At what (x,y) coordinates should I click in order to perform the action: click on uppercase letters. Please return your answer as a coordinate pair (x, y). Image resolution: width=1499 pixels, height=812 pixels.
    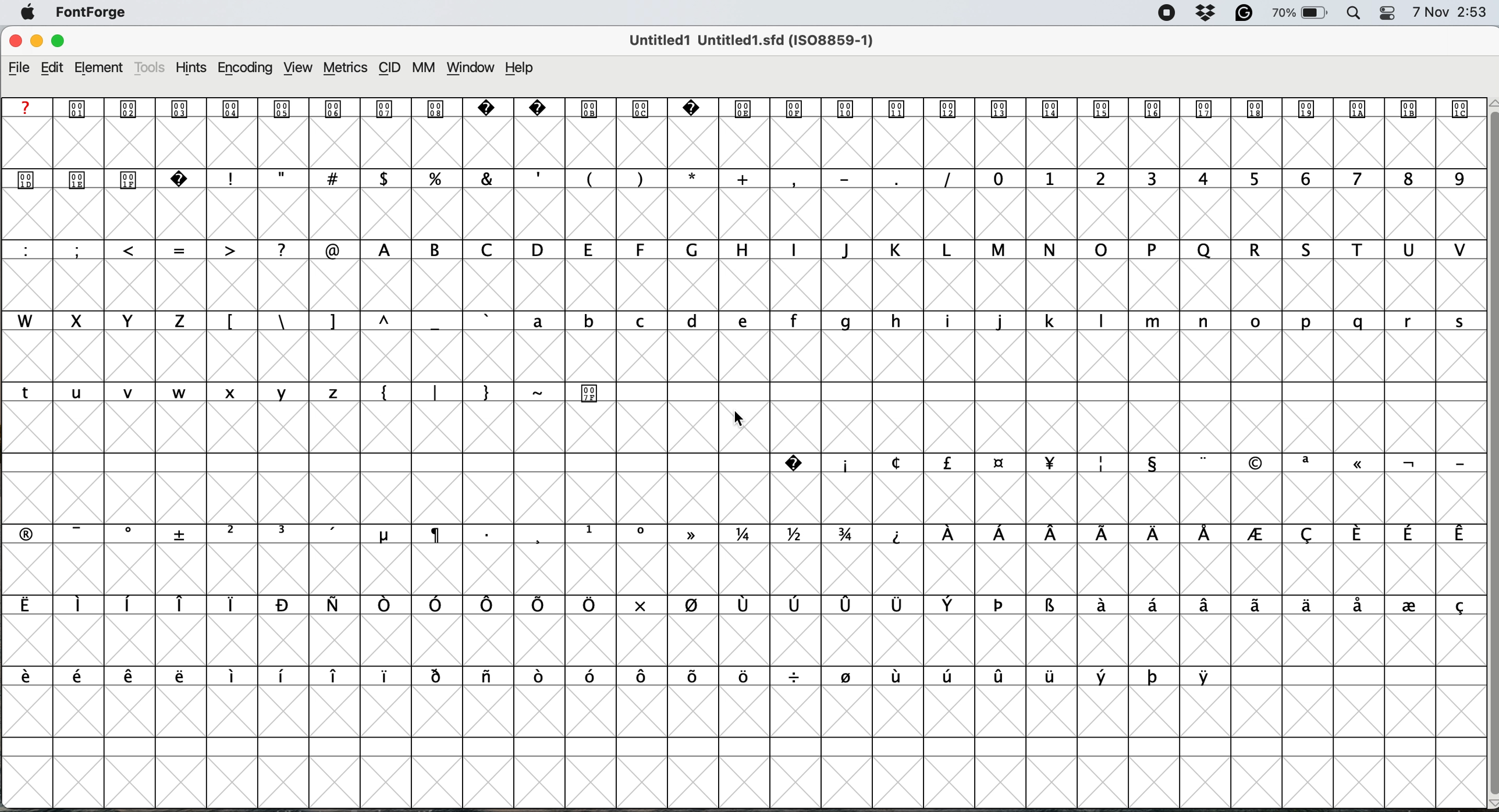
    Looking at the image, I should click on (917, 250).